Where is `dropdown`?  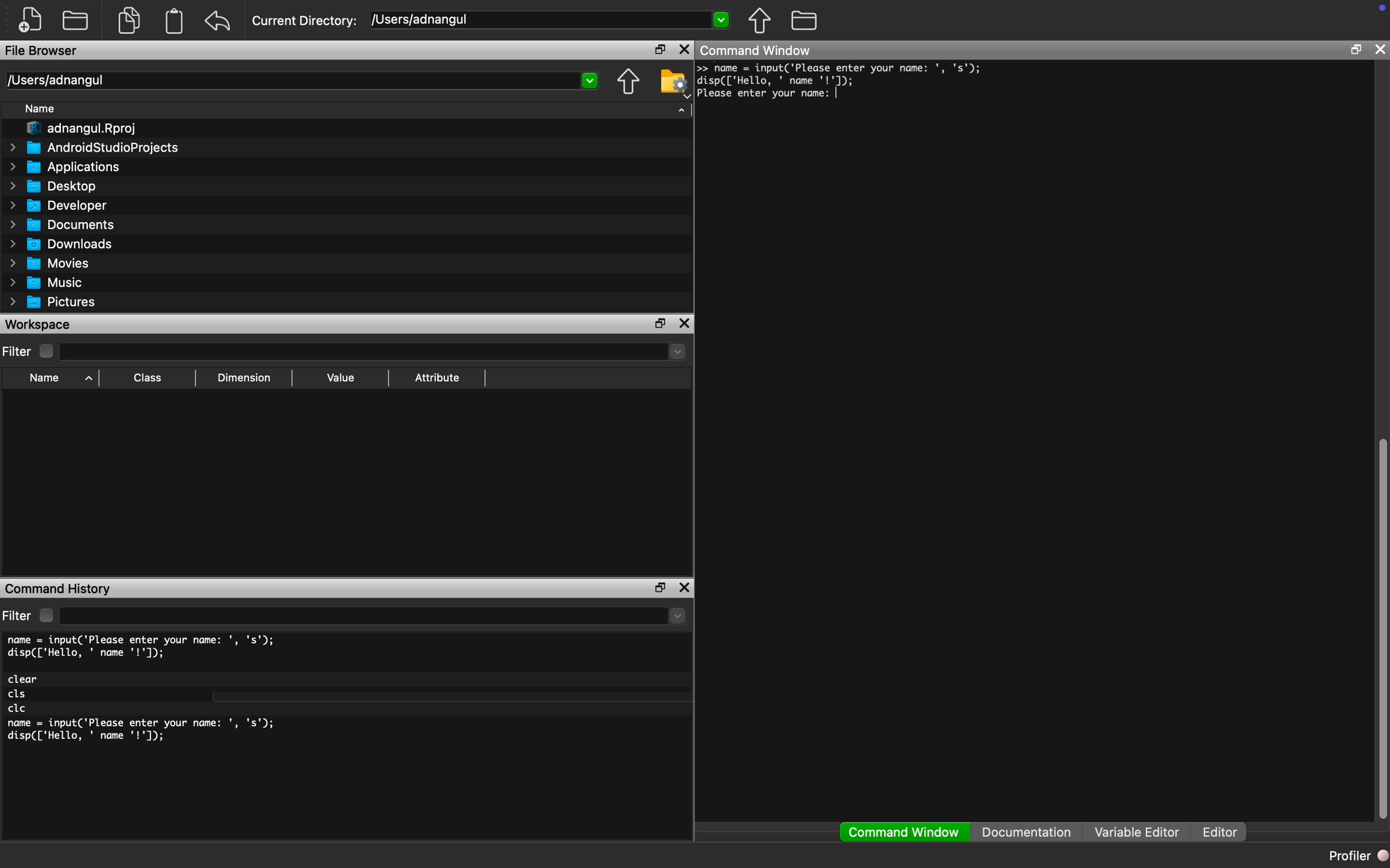 dropdown is located at coordinates (678, 616).